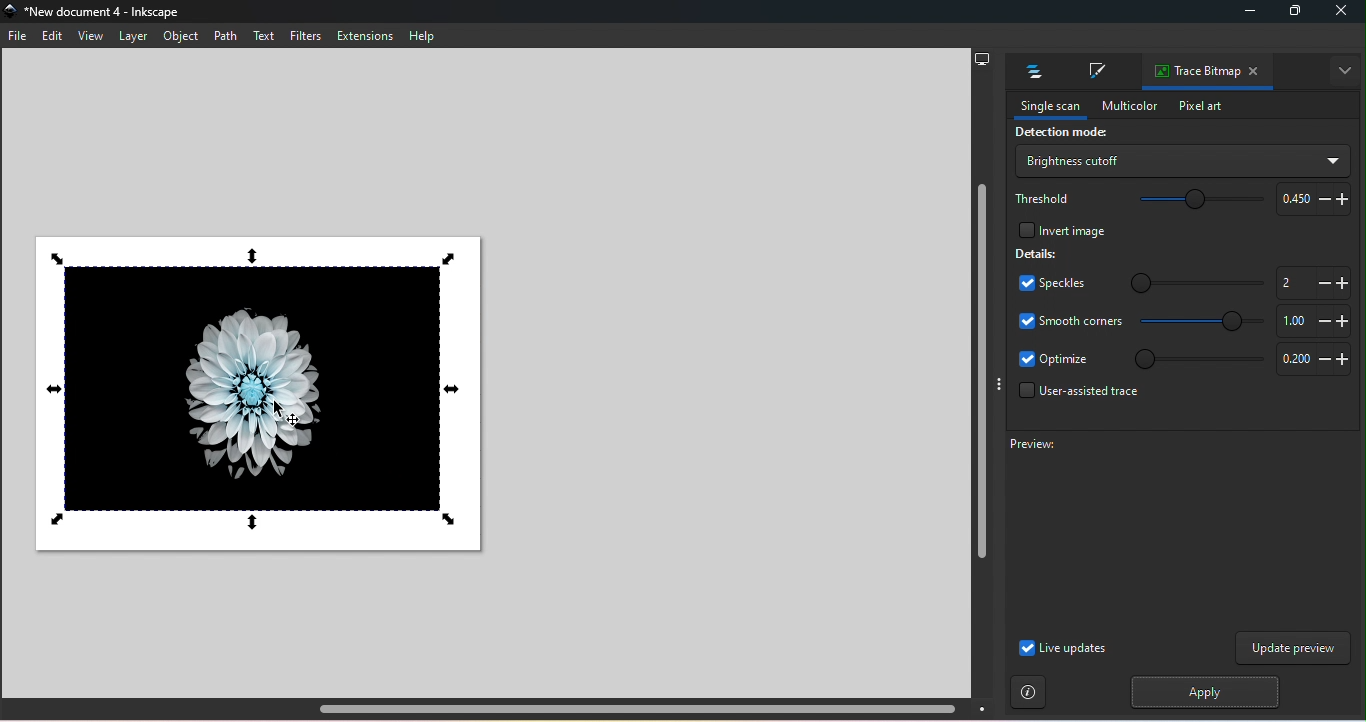 This screenshot has width=1366, height=722. I want to click on close, so click(1342, 13).